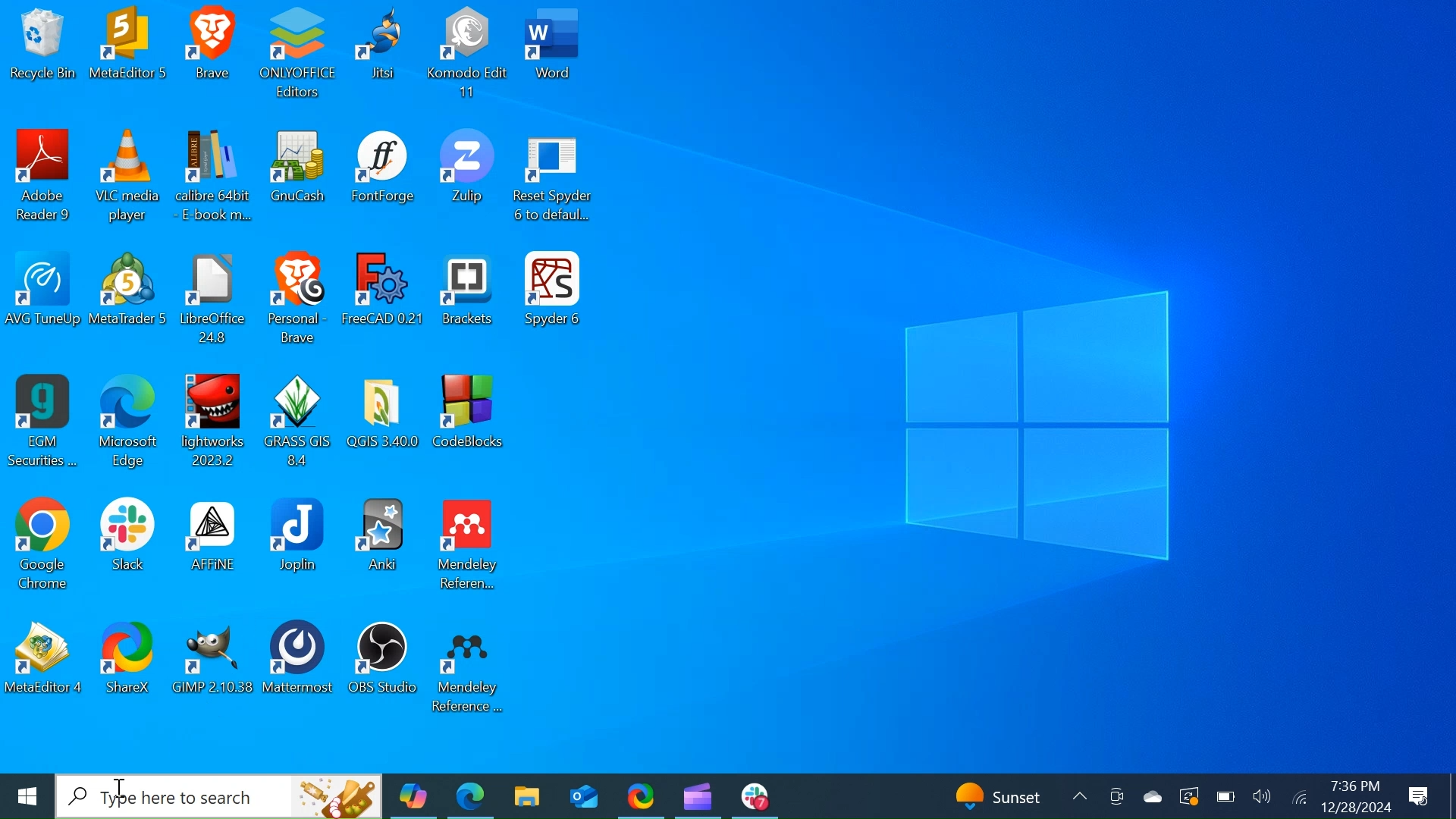  Describe the element at coordinates (295, 300) in the screenshot. I see `Personal Brave Desktop Icon` at that location.